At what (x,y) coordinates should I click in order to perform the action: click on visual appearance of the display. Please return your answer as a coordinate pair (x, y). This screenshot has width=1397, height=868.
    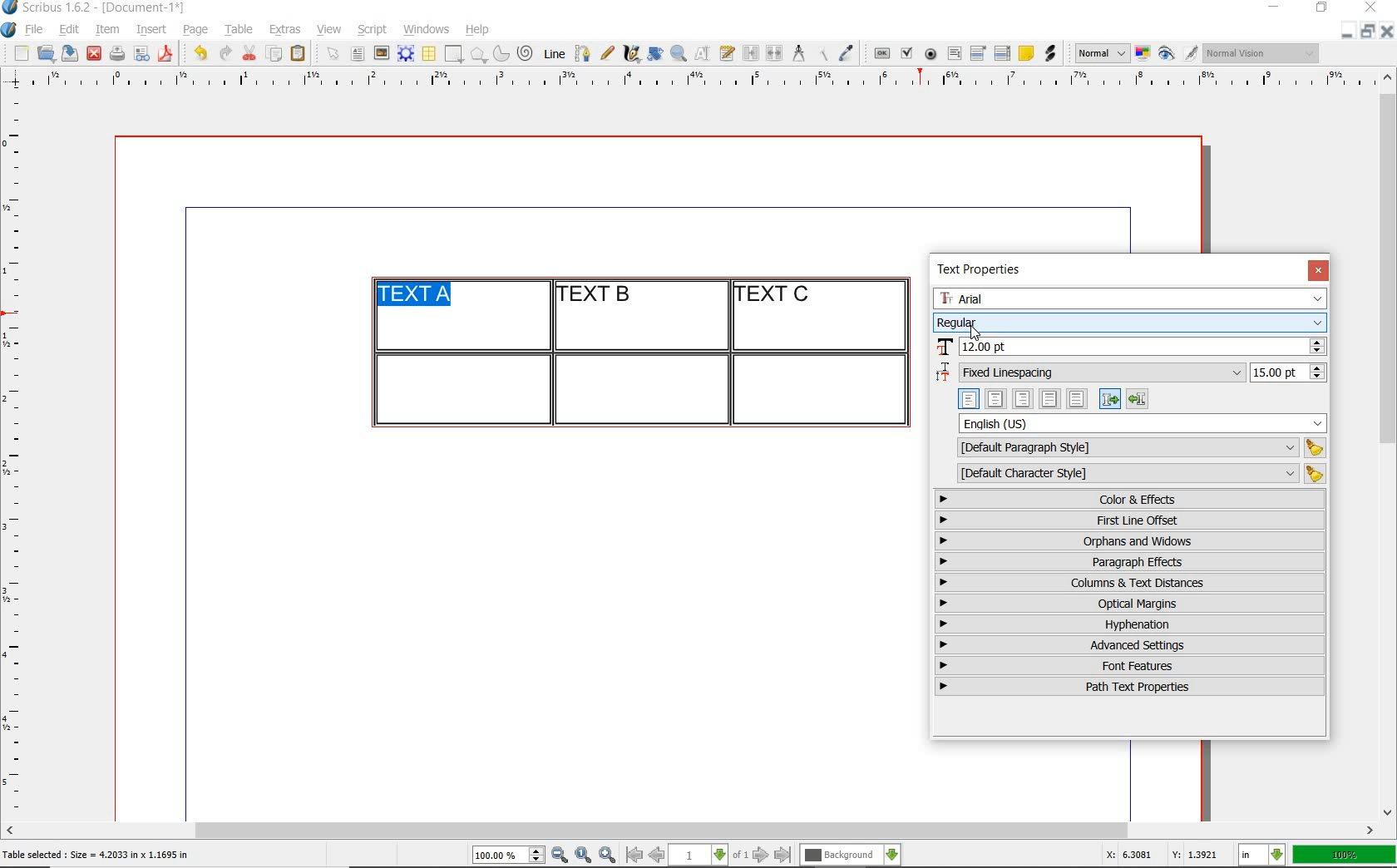
    Looking at the image, I should click on (1262, 53).